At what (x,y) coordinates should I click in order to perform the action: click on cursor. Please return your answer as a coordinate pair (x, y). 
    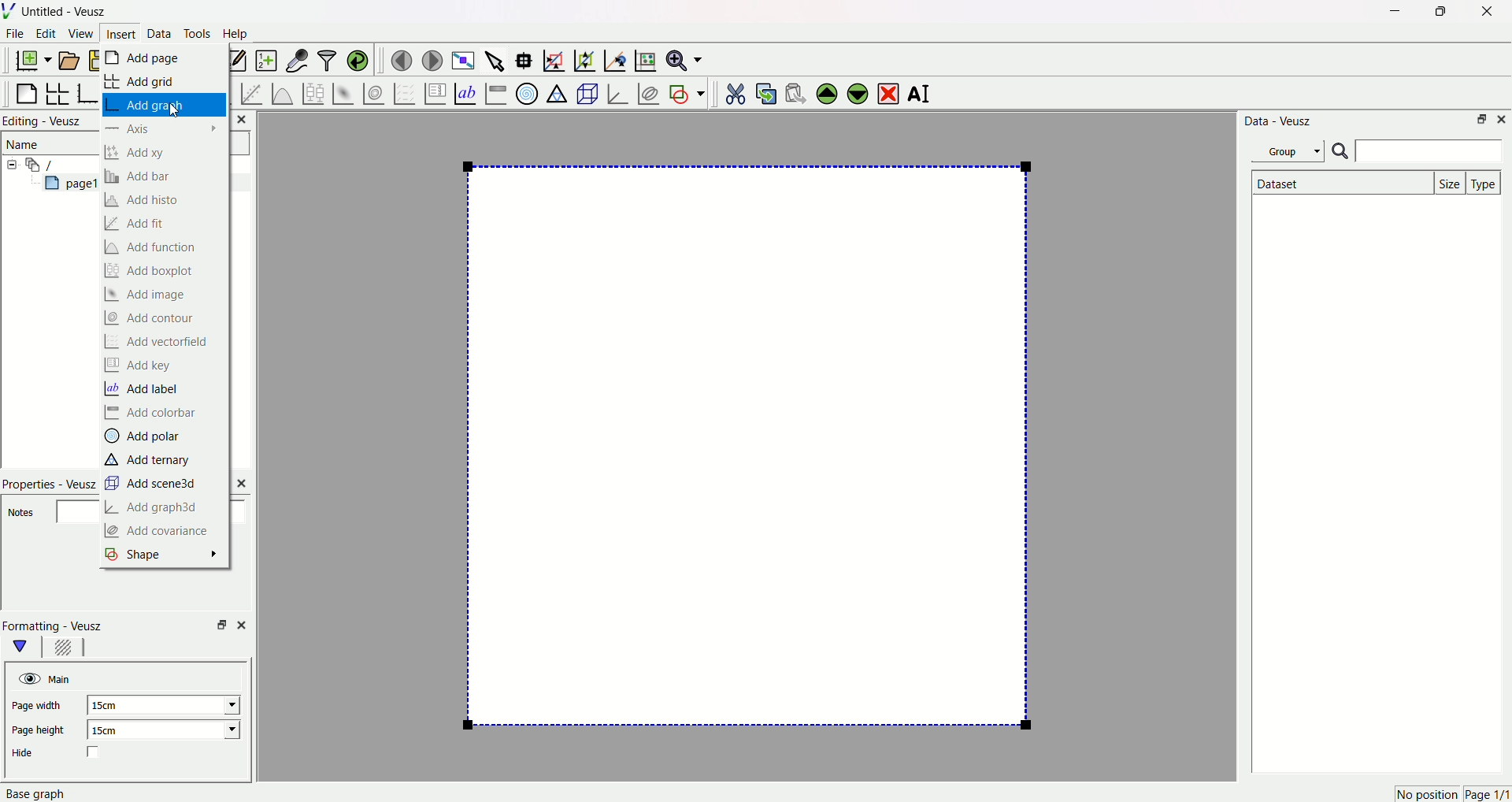
    Looking at the image, I should click on (176, 113).